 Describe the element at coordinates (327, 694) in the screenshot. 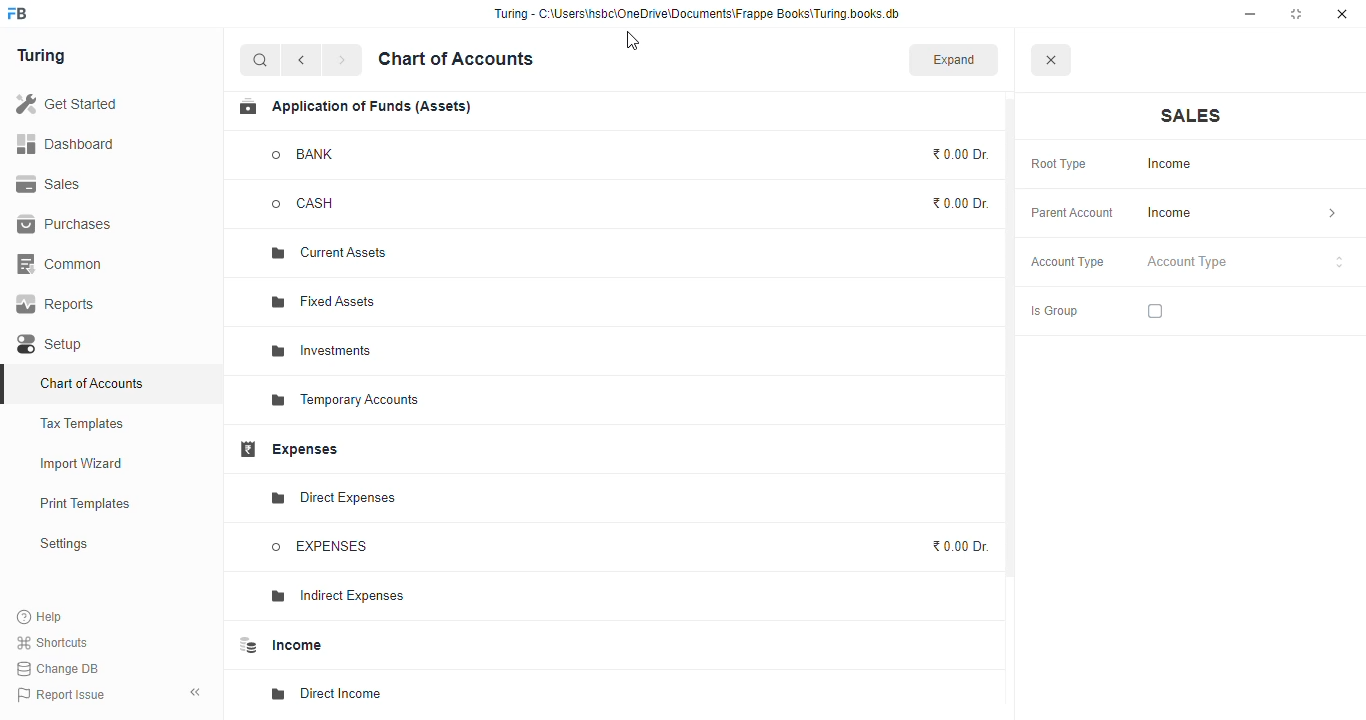

I see `direct income` at that location.